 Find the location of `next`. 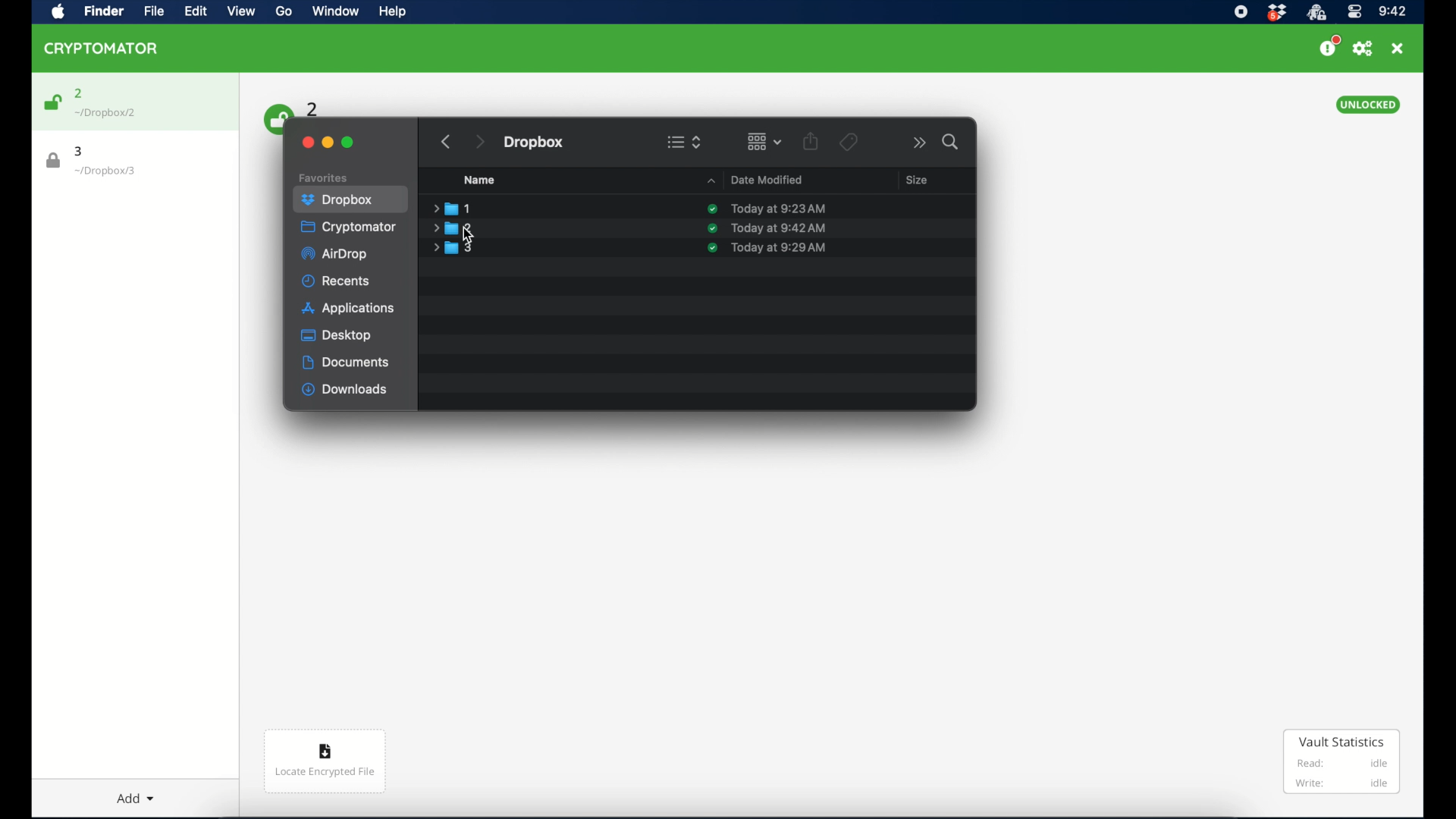

next is located at coordinates (479, 142).